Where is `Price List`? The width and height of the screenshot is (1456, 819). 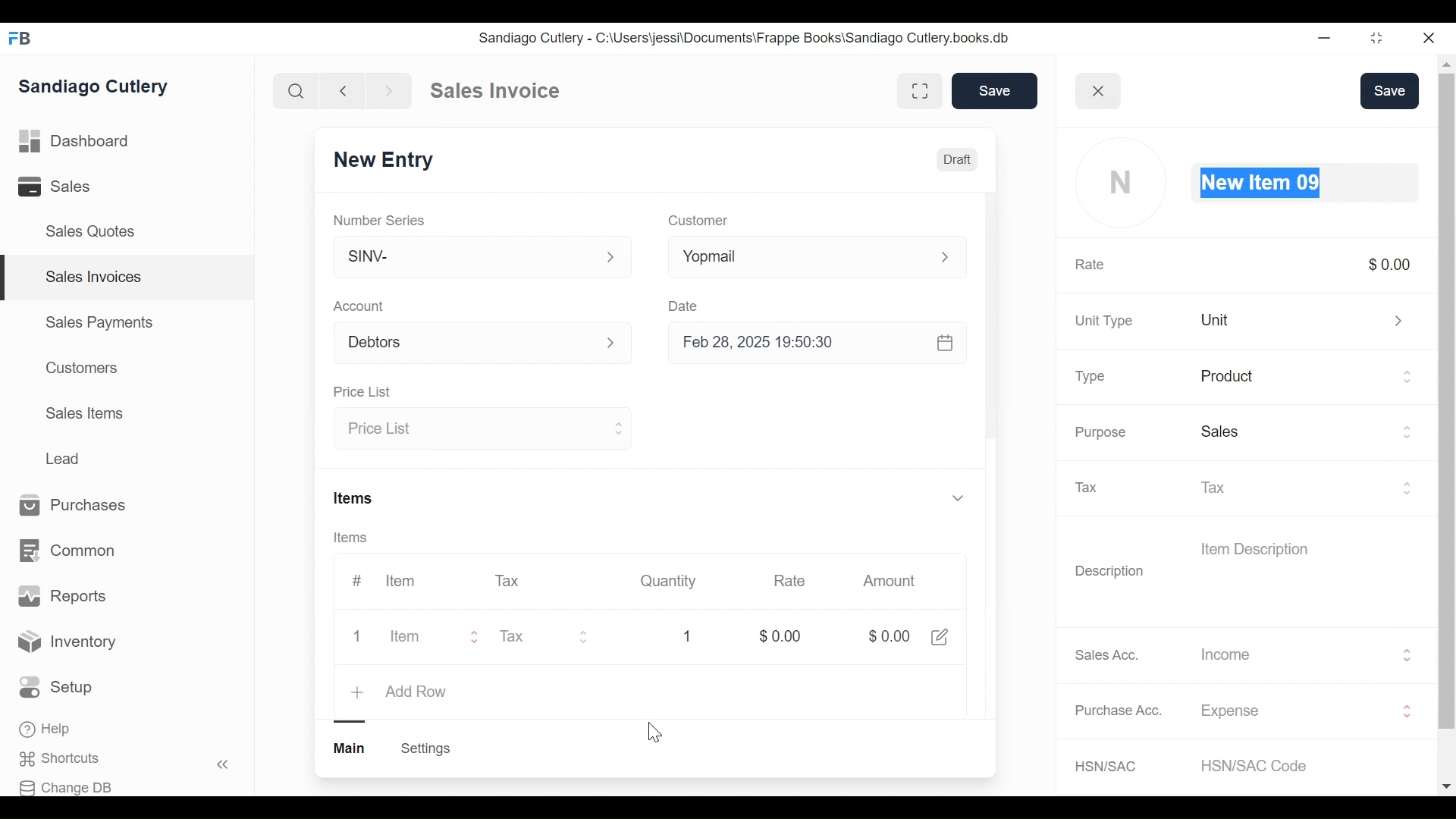 Price List is located at coordinates (484, 429).